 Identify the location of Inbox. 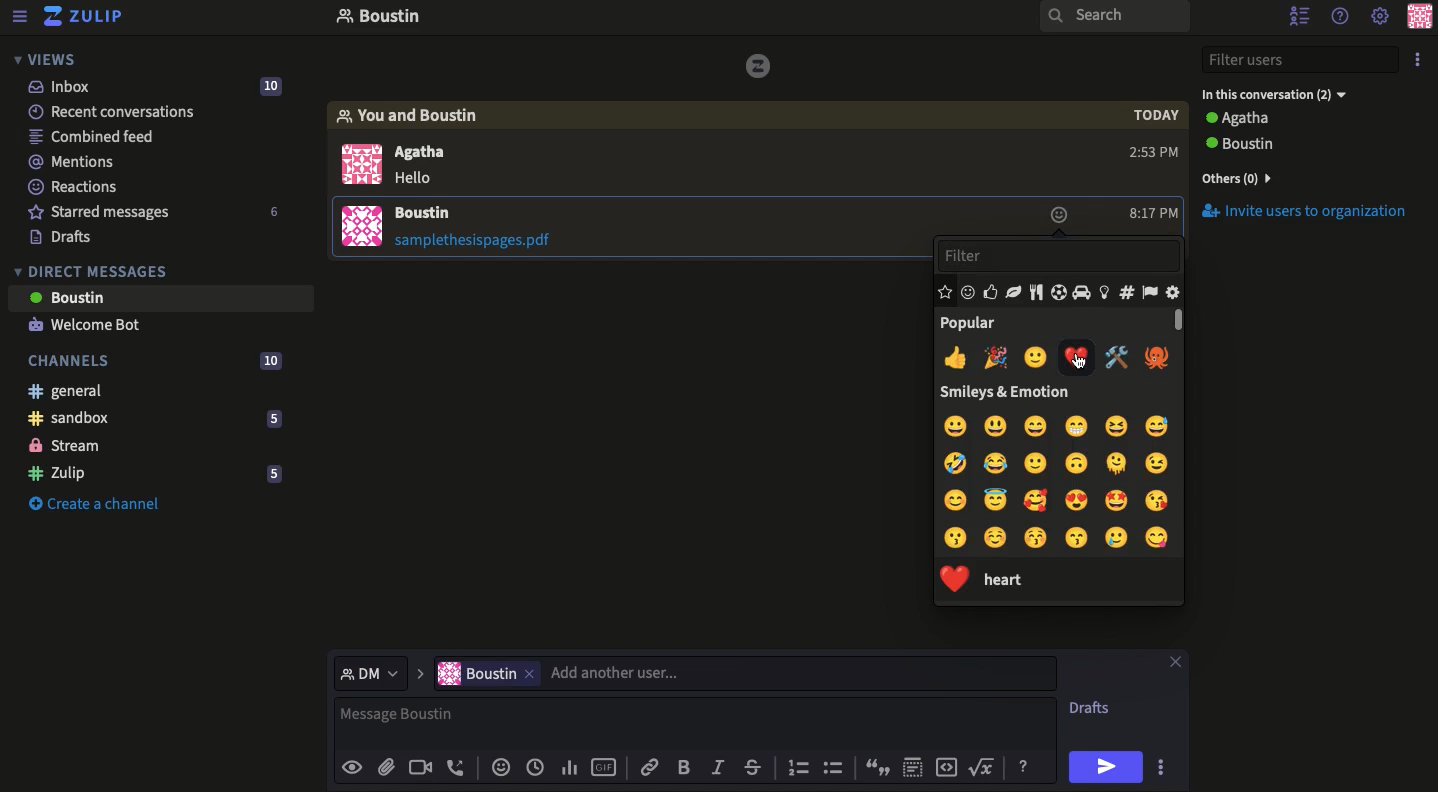
(564, 18).